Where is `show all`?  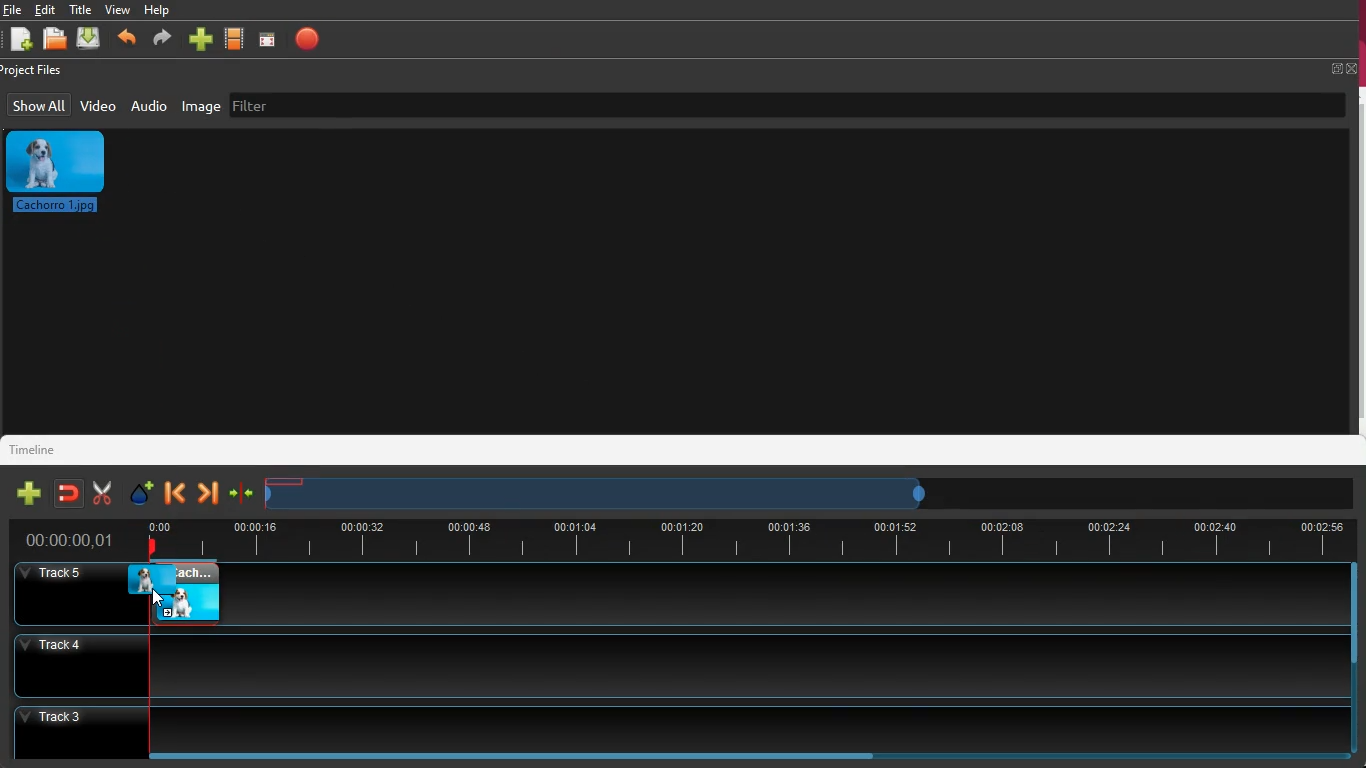 show all is located at coordinates (38, 105).